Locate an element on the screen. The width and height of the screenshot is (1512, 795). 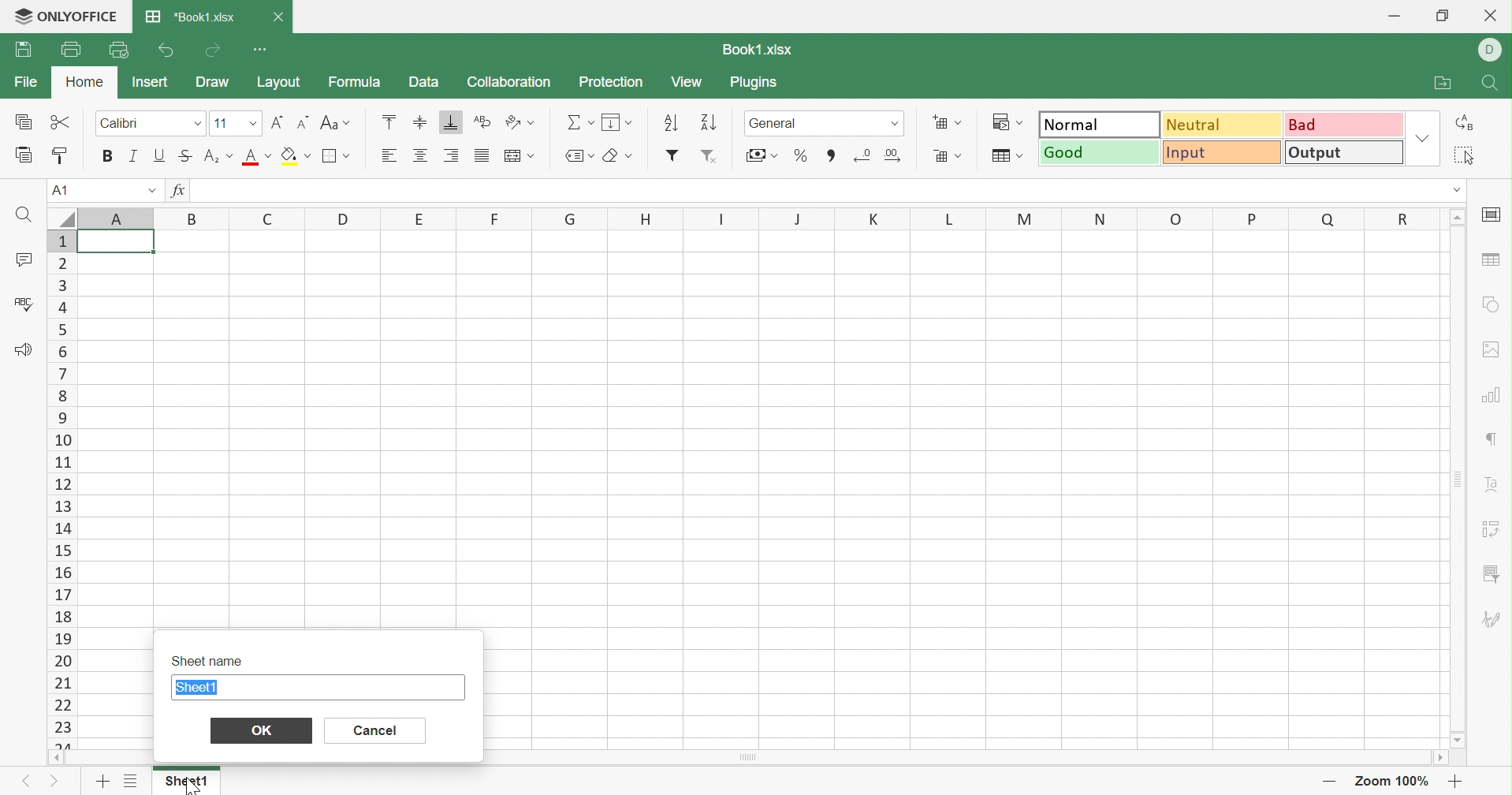
Output is located at coordinates (1344, 152).